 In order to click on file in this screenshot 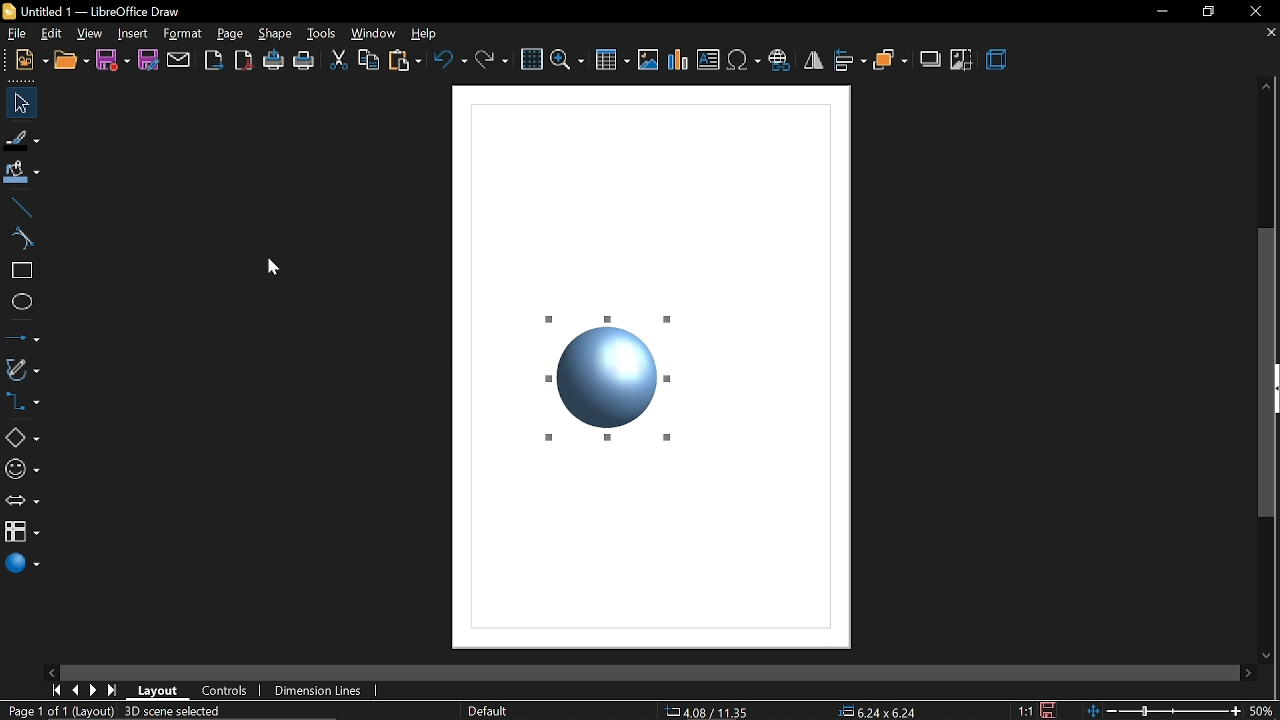, I will do `click(15, 33)`.